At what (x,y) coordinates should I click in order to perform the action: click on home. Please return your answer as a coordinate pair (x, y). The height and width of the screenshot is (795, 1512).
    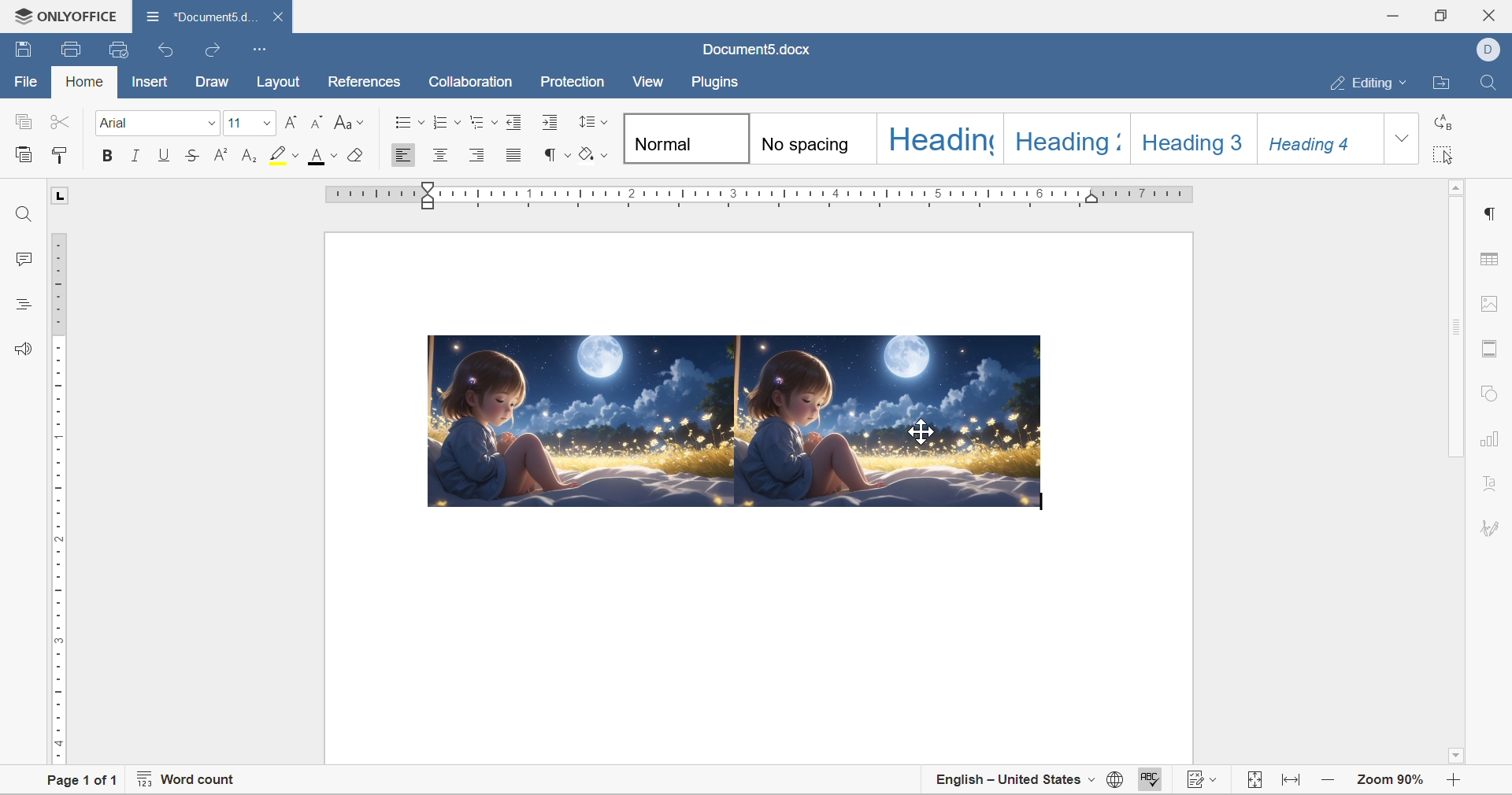
    Looking at the image, I should click on (83, 80).